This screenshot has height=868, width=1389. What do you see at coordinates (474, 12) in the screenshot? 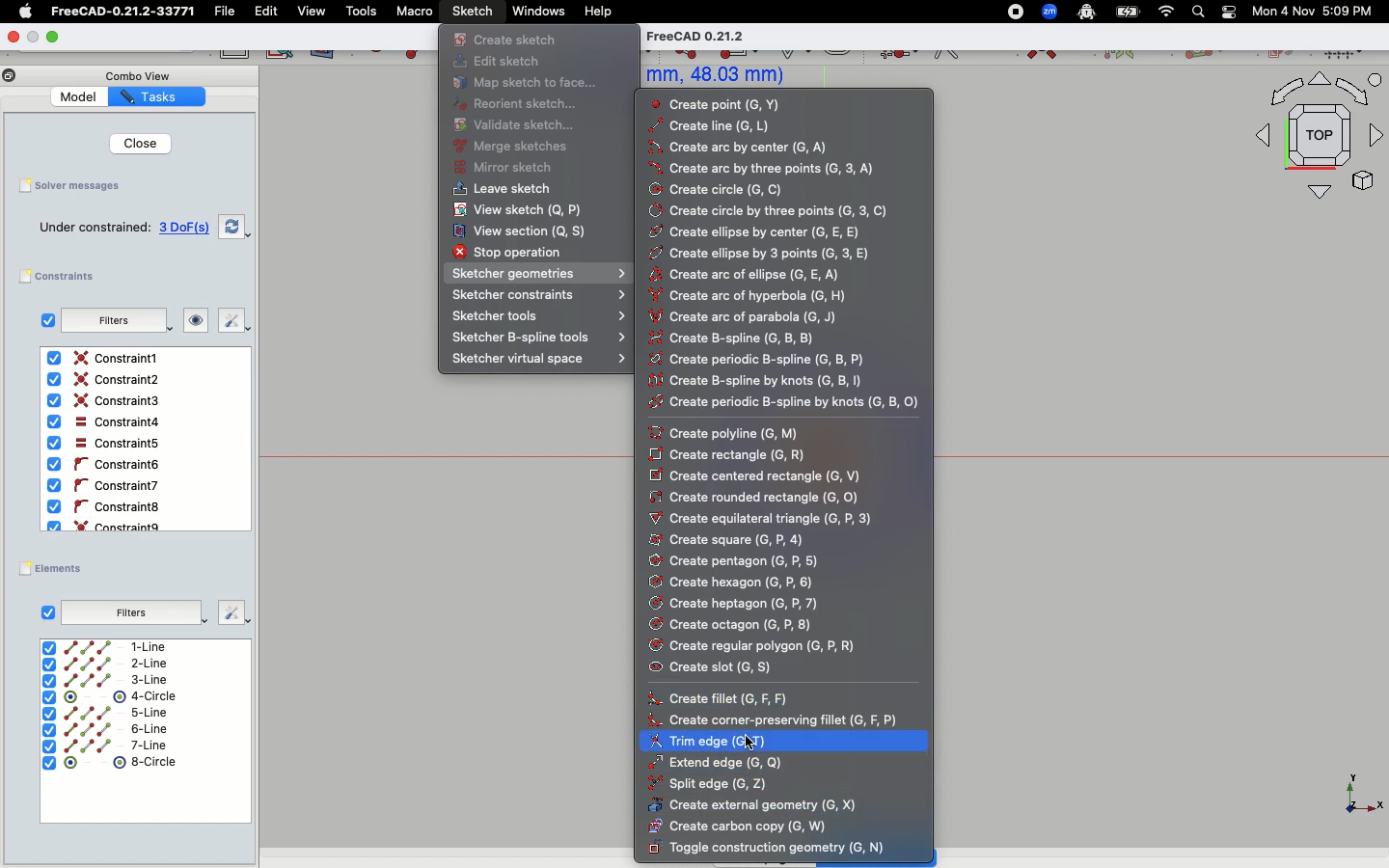
I see `Sketch` at bounding box center [474, 12].